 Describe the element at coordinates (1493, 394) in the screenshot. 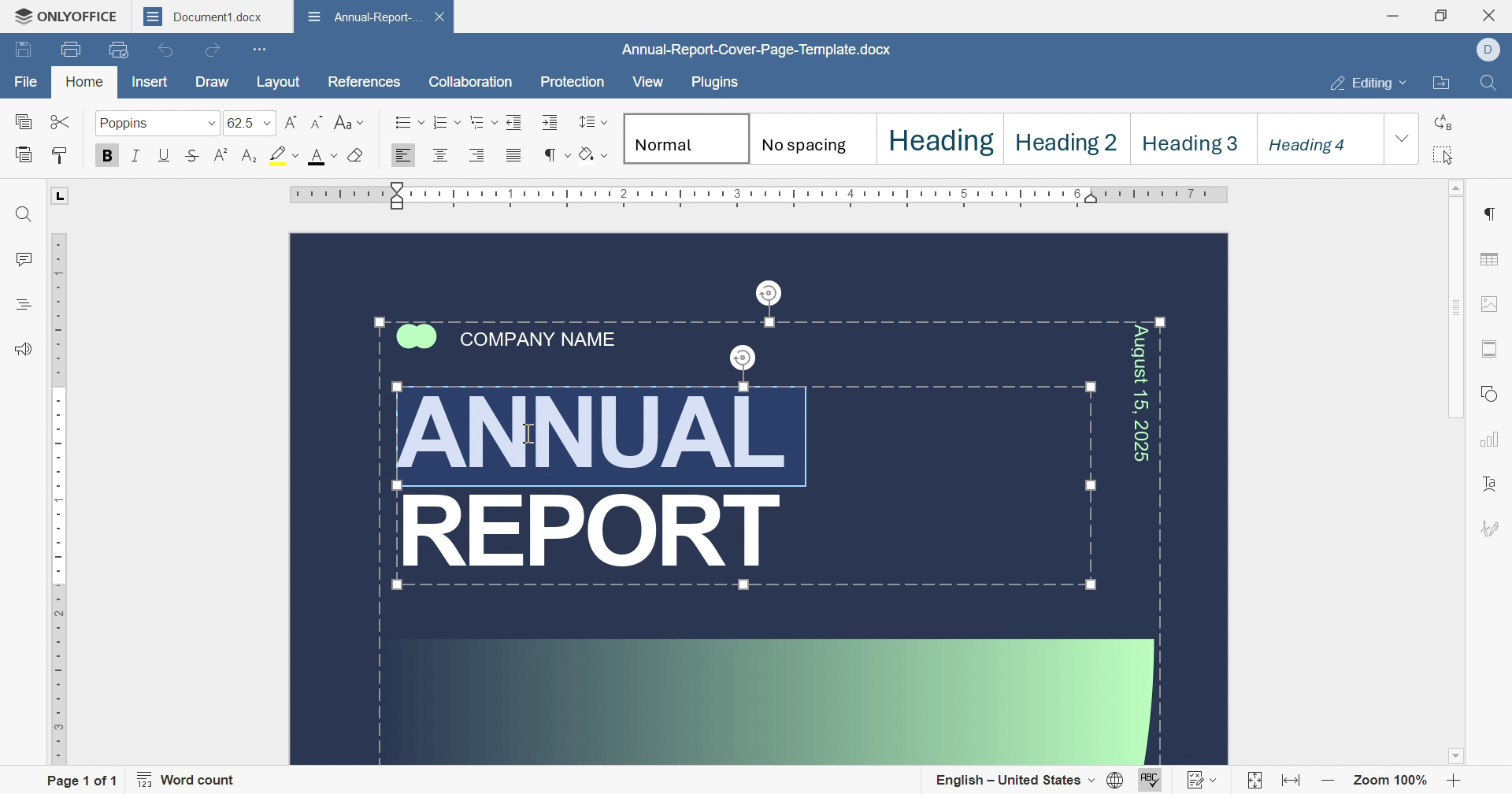

I see `shape settings` at that location.